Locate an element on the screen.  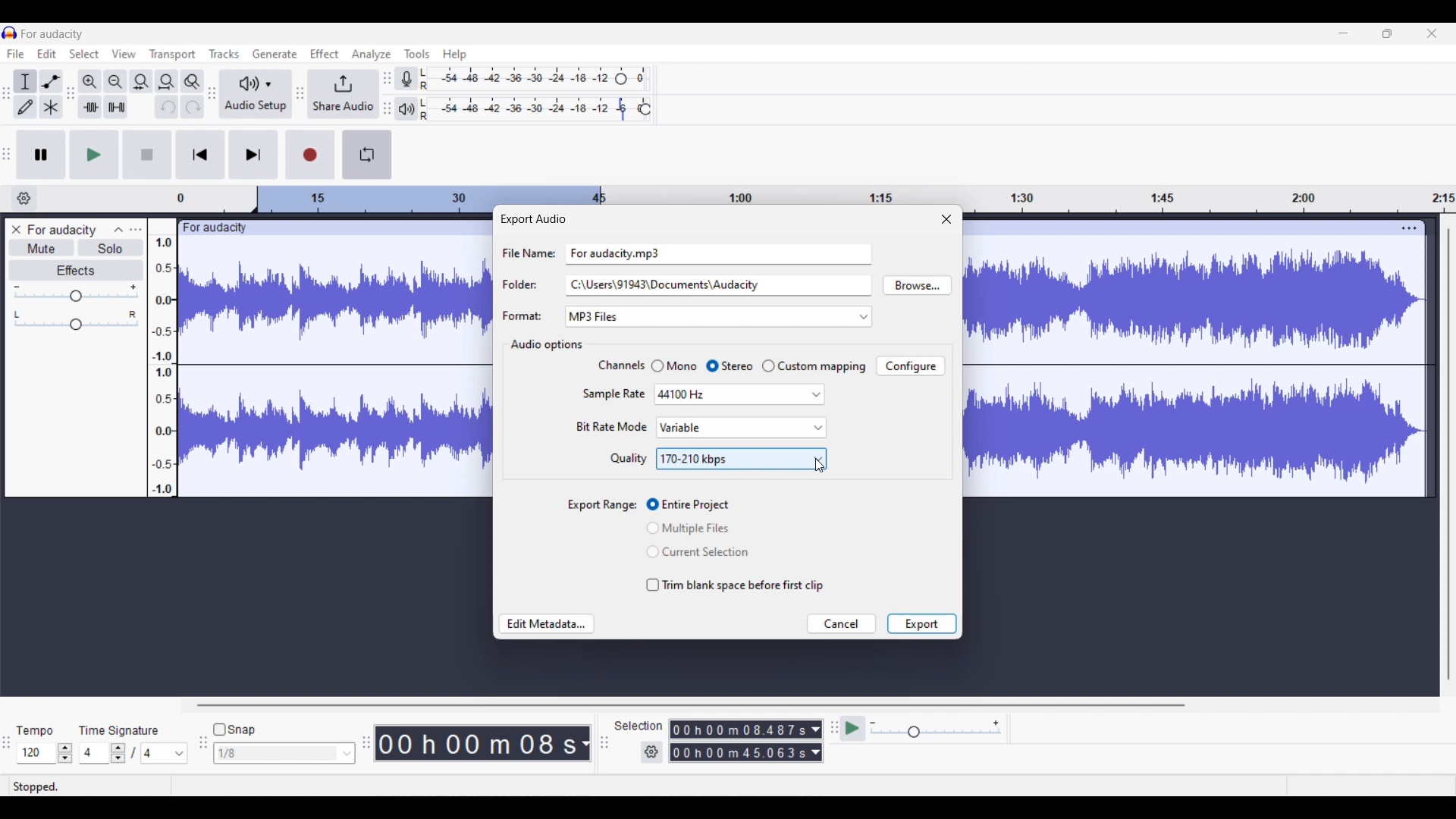
File menu is located at coordinates (16, 53).